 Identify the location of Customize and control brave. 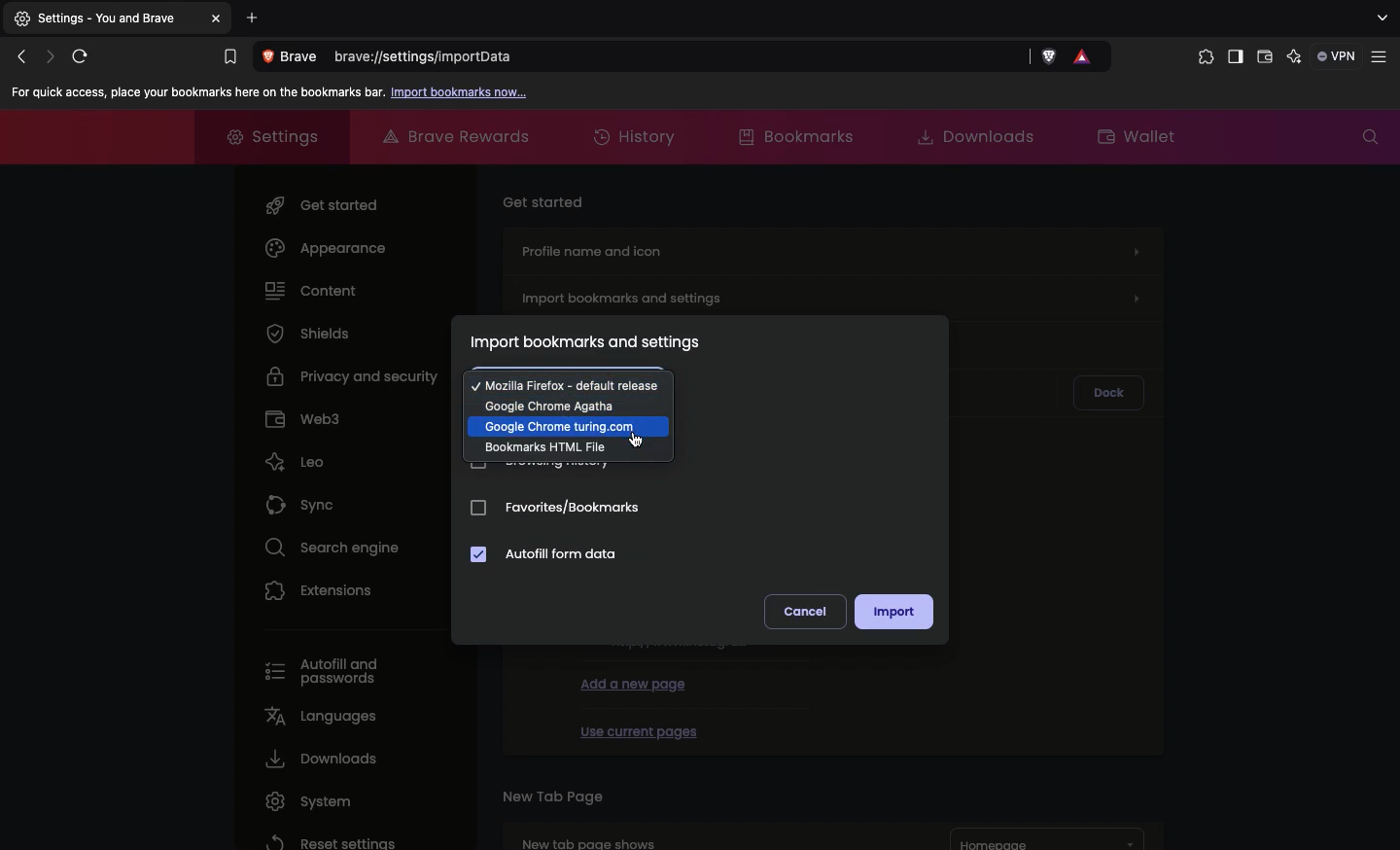
(1382, 57).